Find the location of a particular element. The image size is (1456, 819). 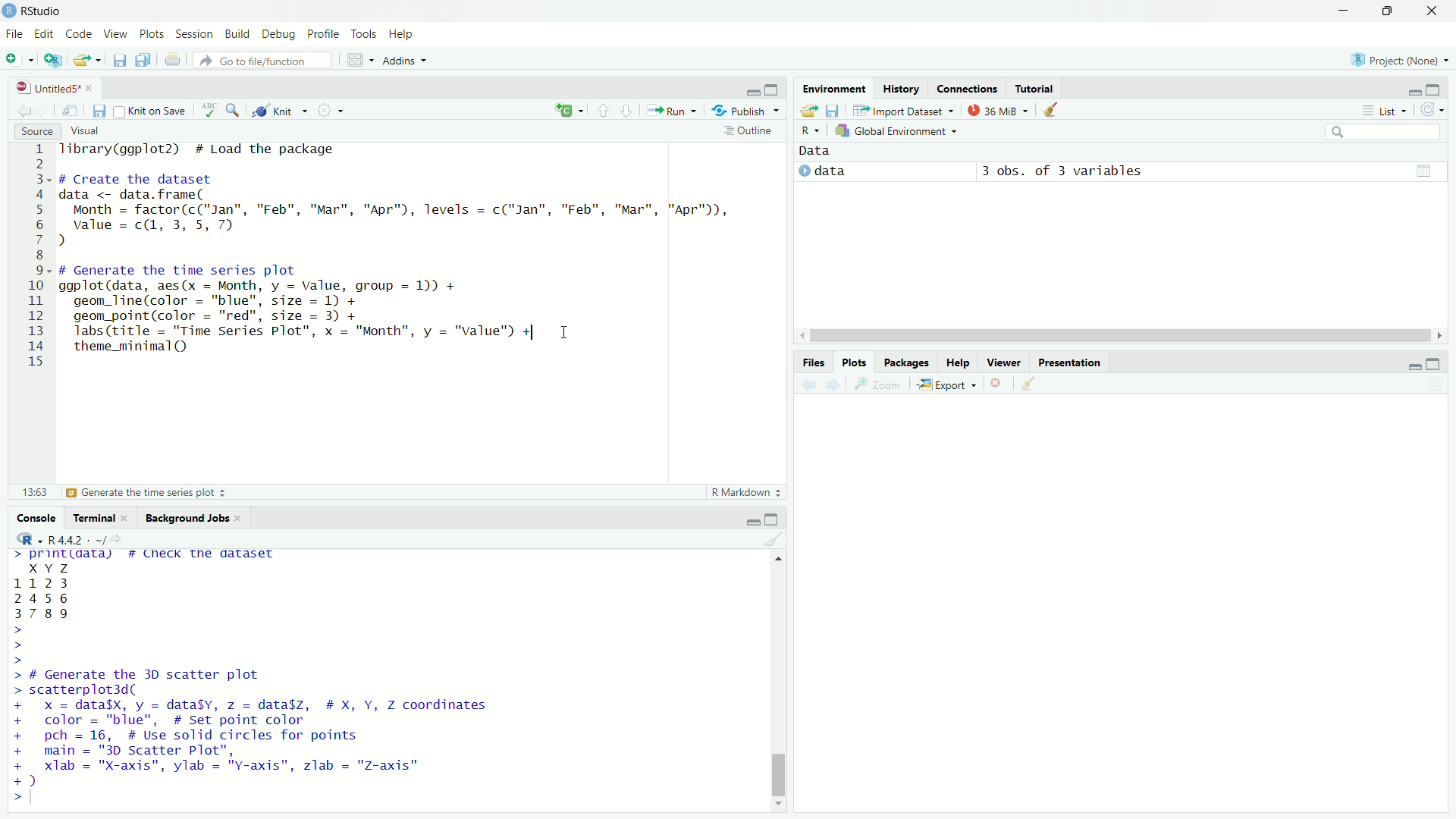

knit on save is located at coordinates (150, 111).